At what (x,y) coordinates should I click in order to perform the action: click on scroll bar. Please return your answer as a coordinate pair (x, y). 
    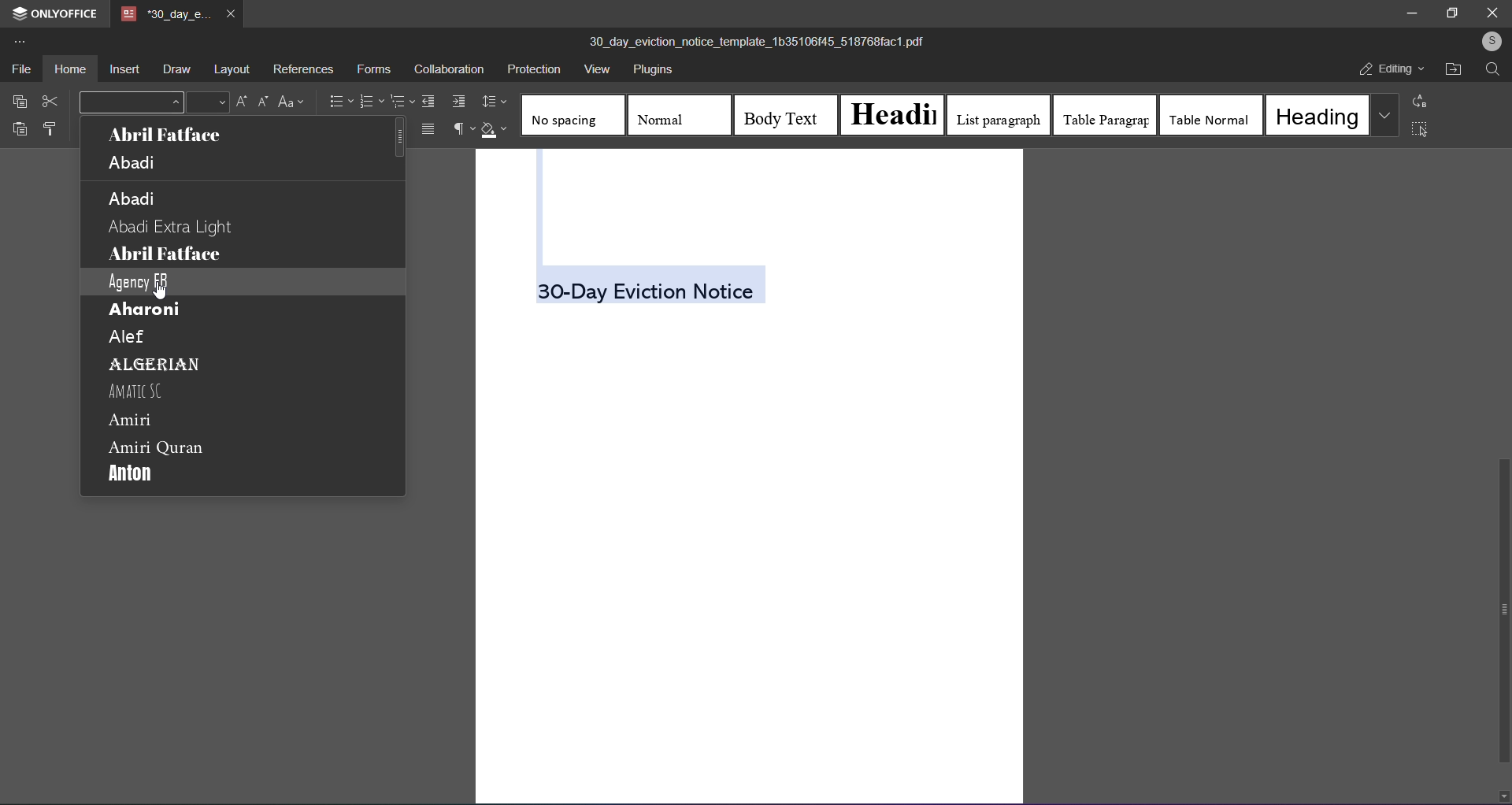
    Looking at the image, I should click on (1502, 611).